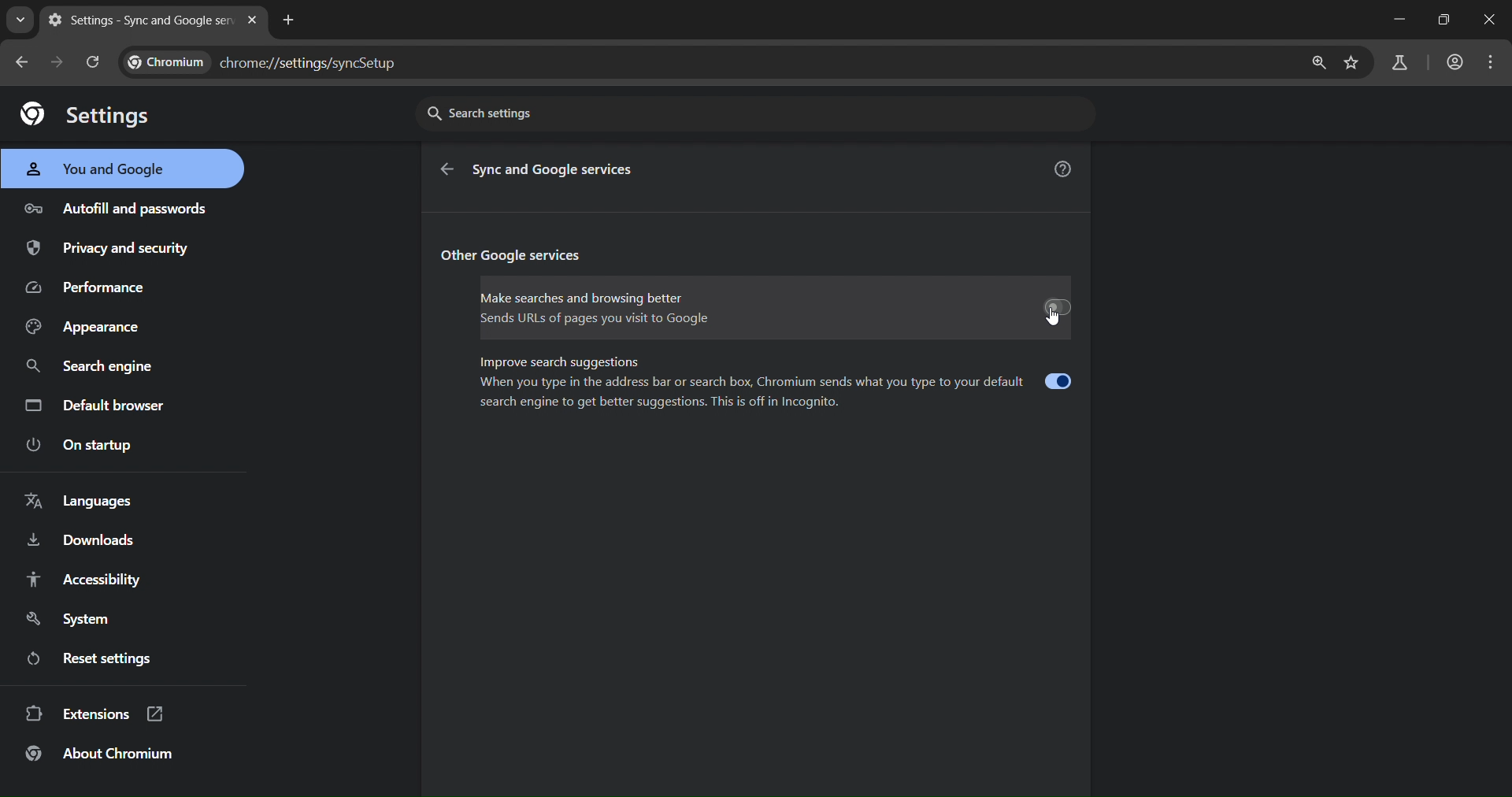  I want to click on on startup, so click(93, 445).